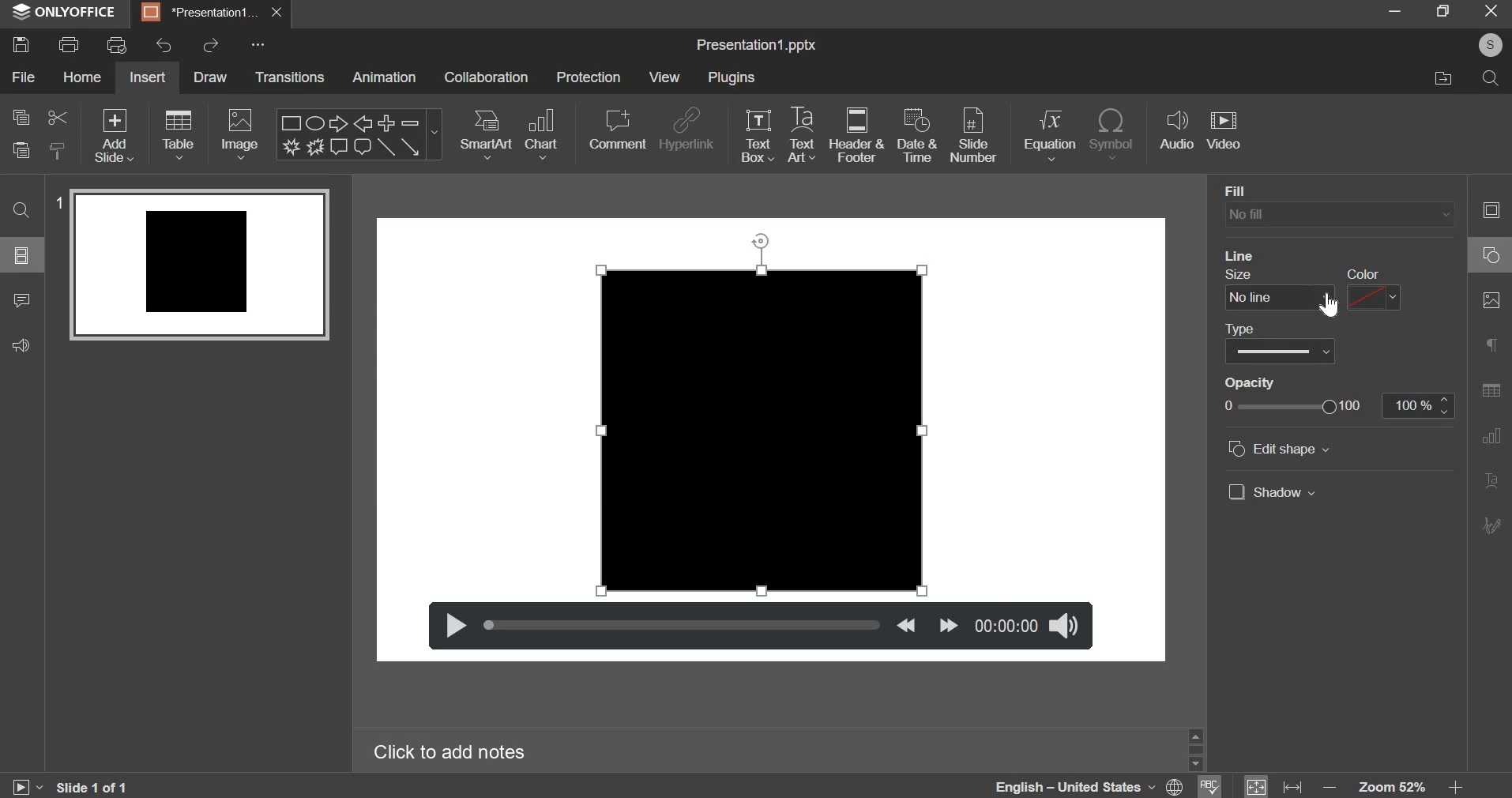 This screenshot has width=1512, height=798. Describe the element at coordinates (1490, 45) in the screenshot. I see `S Profile` at that location.